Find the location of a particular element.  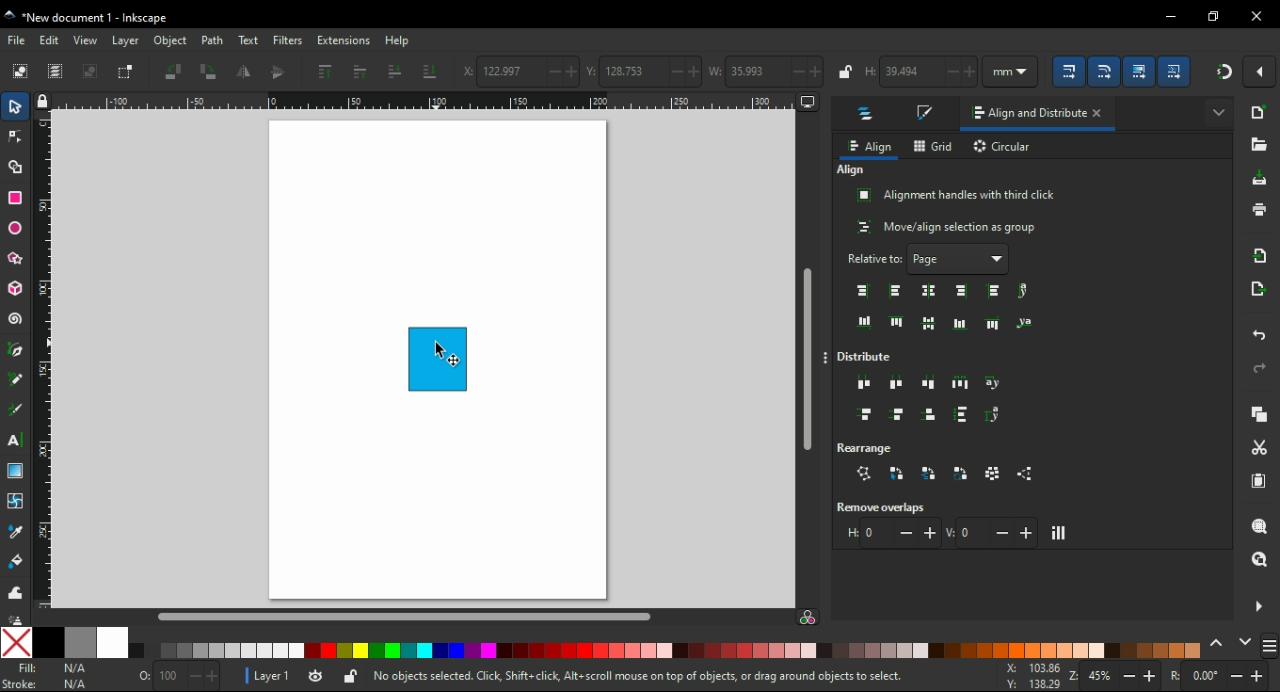

rectangle tool is located at coordinates (14, 199).